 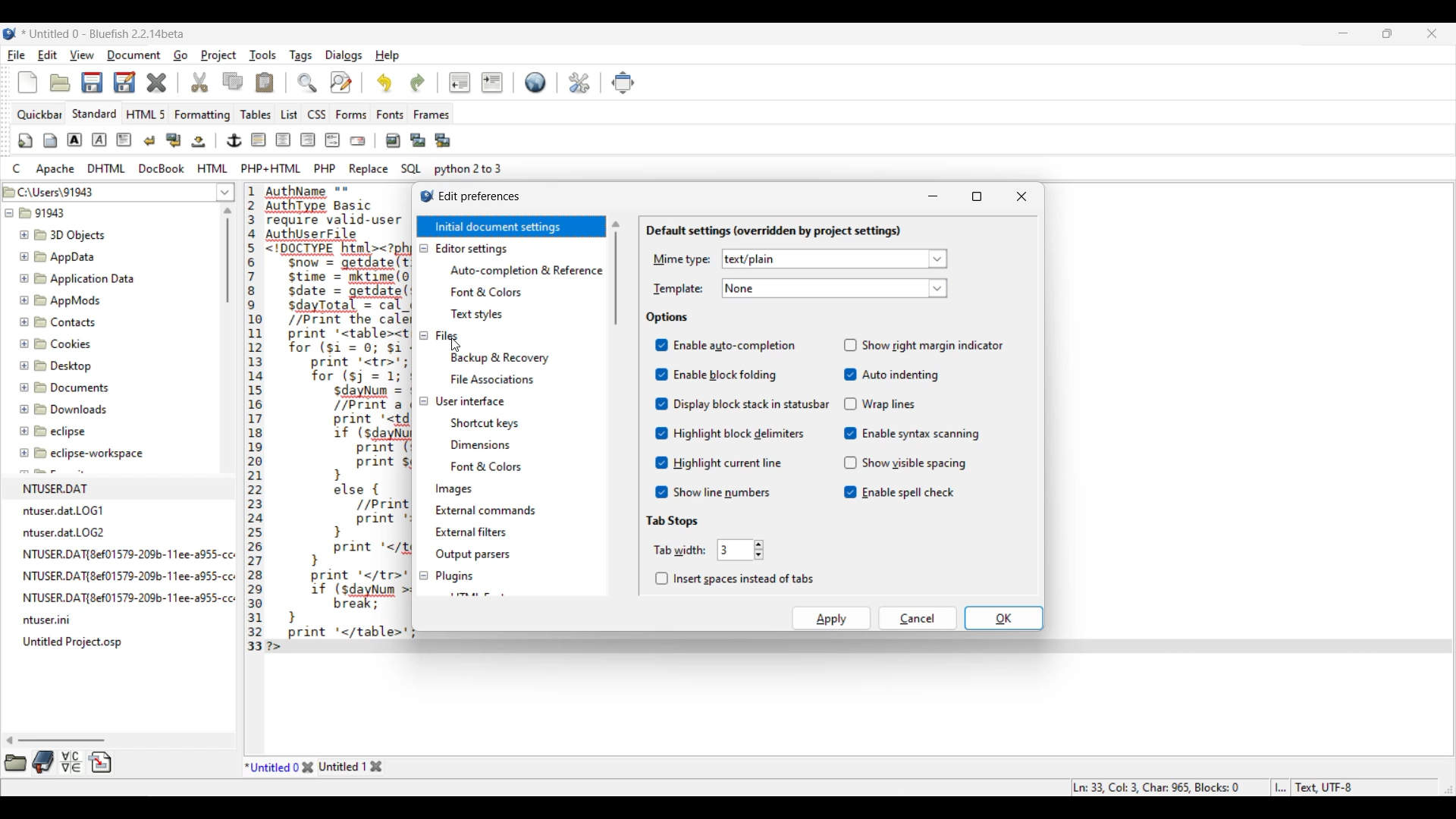 What do you see at coordinates (265, 82) in the screenshot?
I see `Paste` at bounding box center [265, 82].